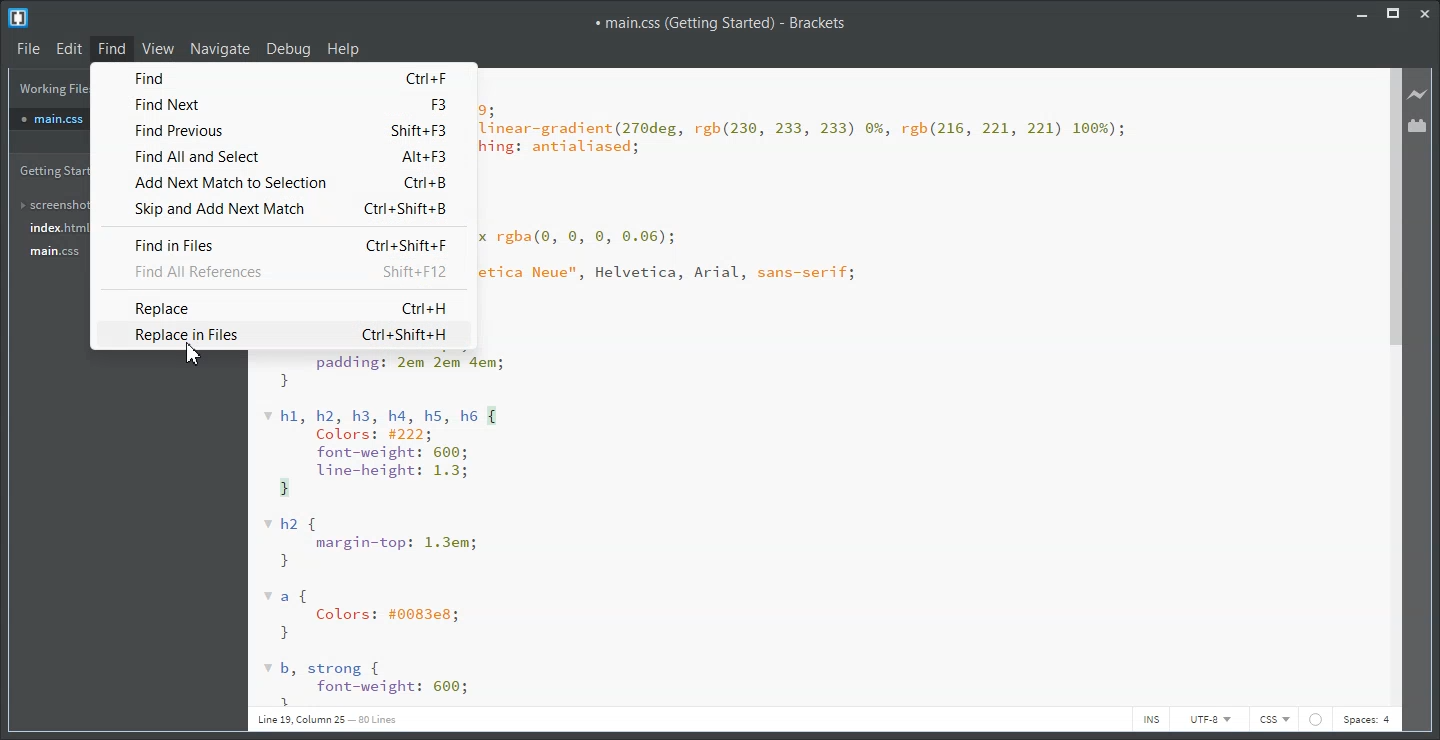 The width and height of the screenshot is (1440, 740). I want to click on Logo, so click(20, 17).